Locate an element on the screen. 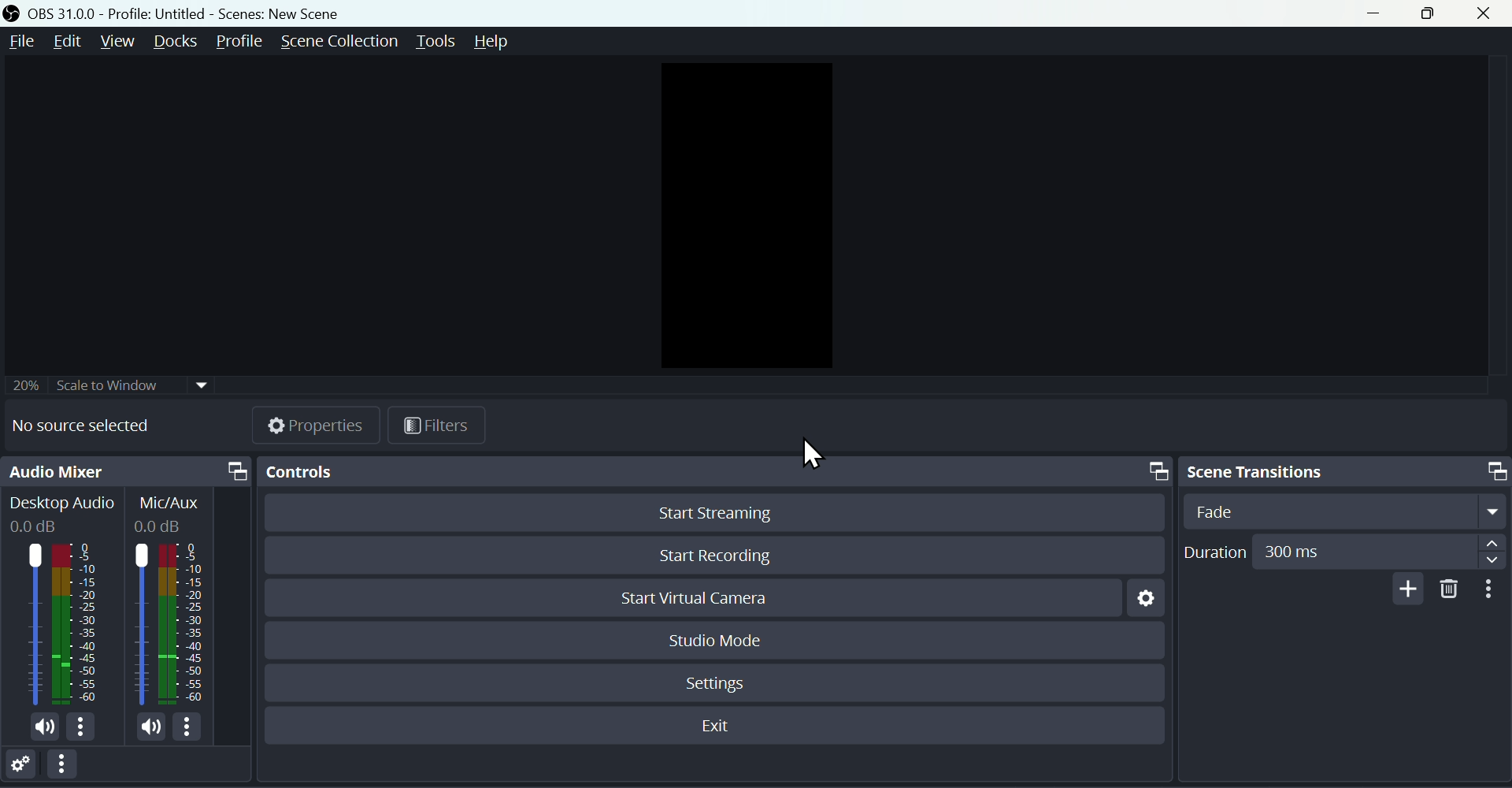 The image size is (1512, 788). start virtual camera is located at coordinates (707, 600).